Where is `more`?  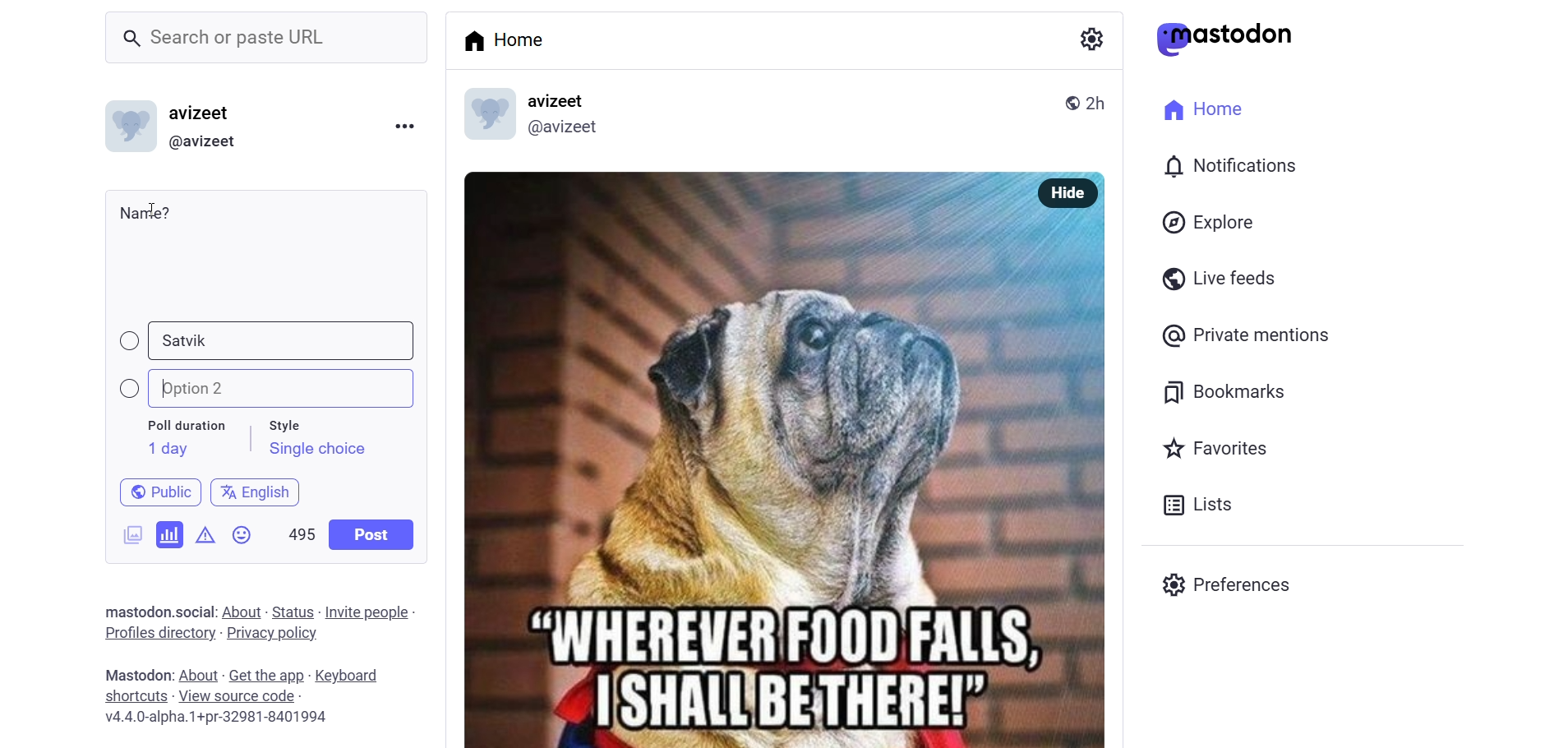 more is located at coordinates (404, 124).